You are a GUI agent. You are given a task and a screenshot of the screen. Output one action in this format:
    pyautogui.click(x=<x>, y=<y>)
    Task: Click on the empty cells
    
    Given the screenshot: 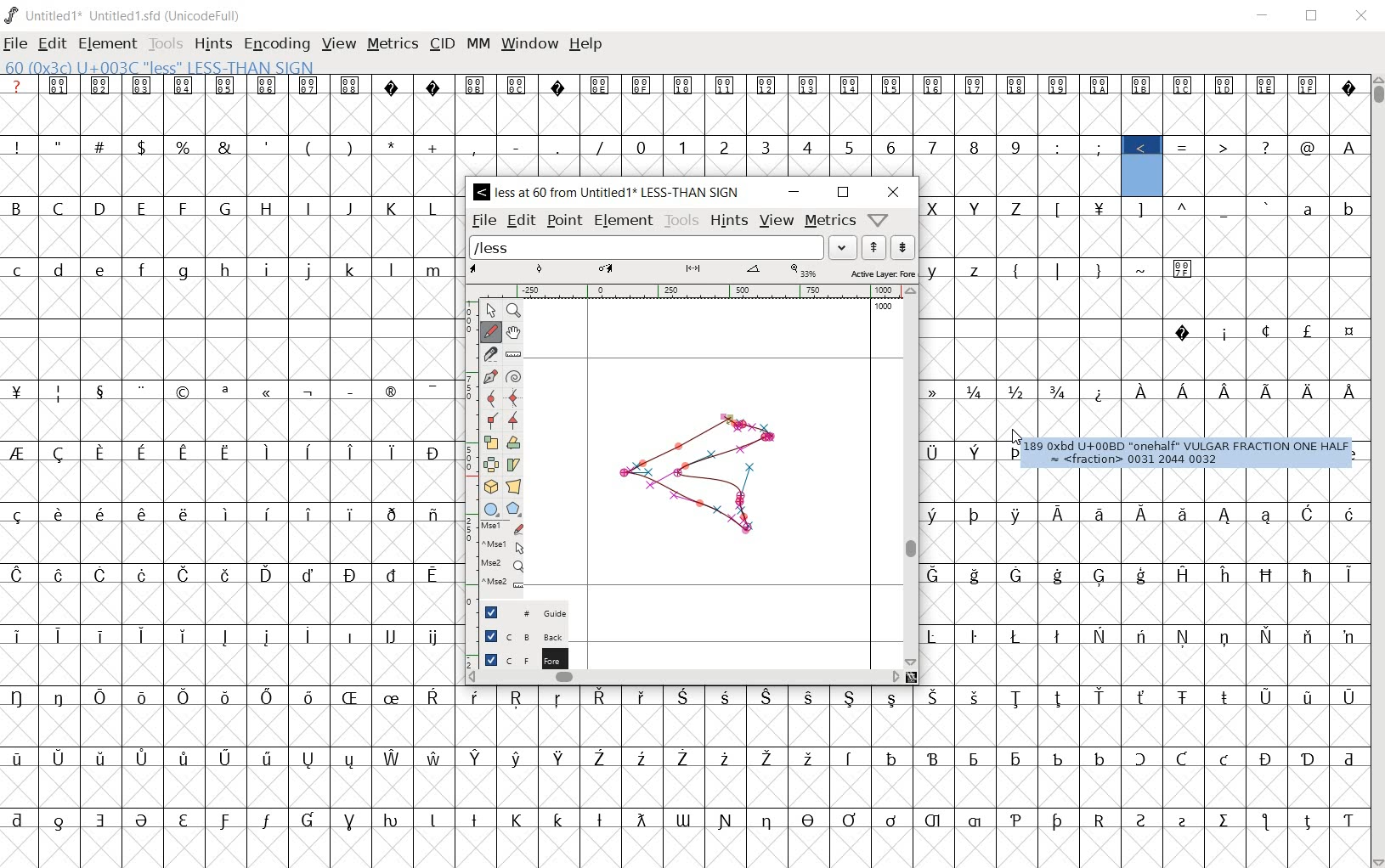 What is the action you would take?
    pyautogui.click(x=1142, y=359)
    